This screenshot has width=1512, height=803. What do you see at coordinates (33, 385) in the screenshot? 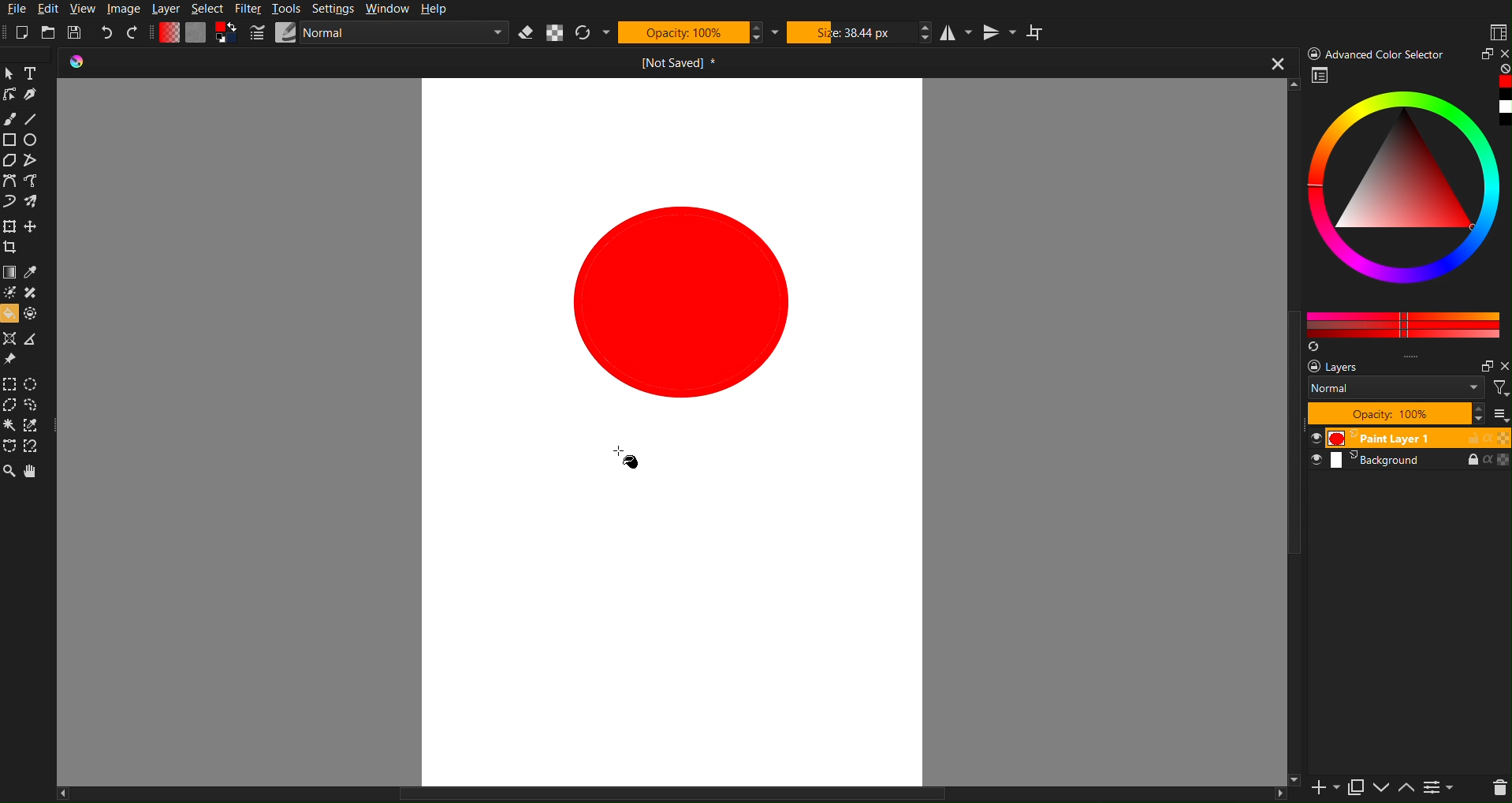
I see `Elliptical` at bounding box center [33, 385].